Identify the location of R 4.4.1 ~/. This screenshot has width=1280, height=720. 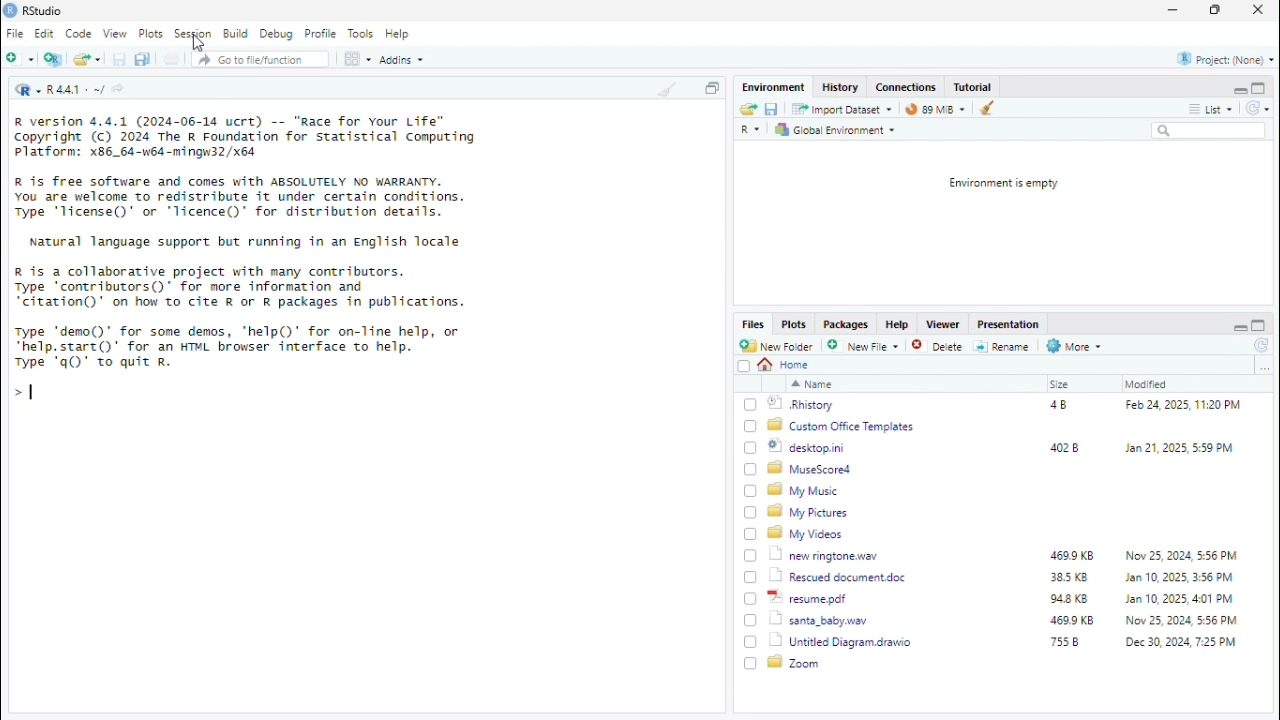
(76, 91).